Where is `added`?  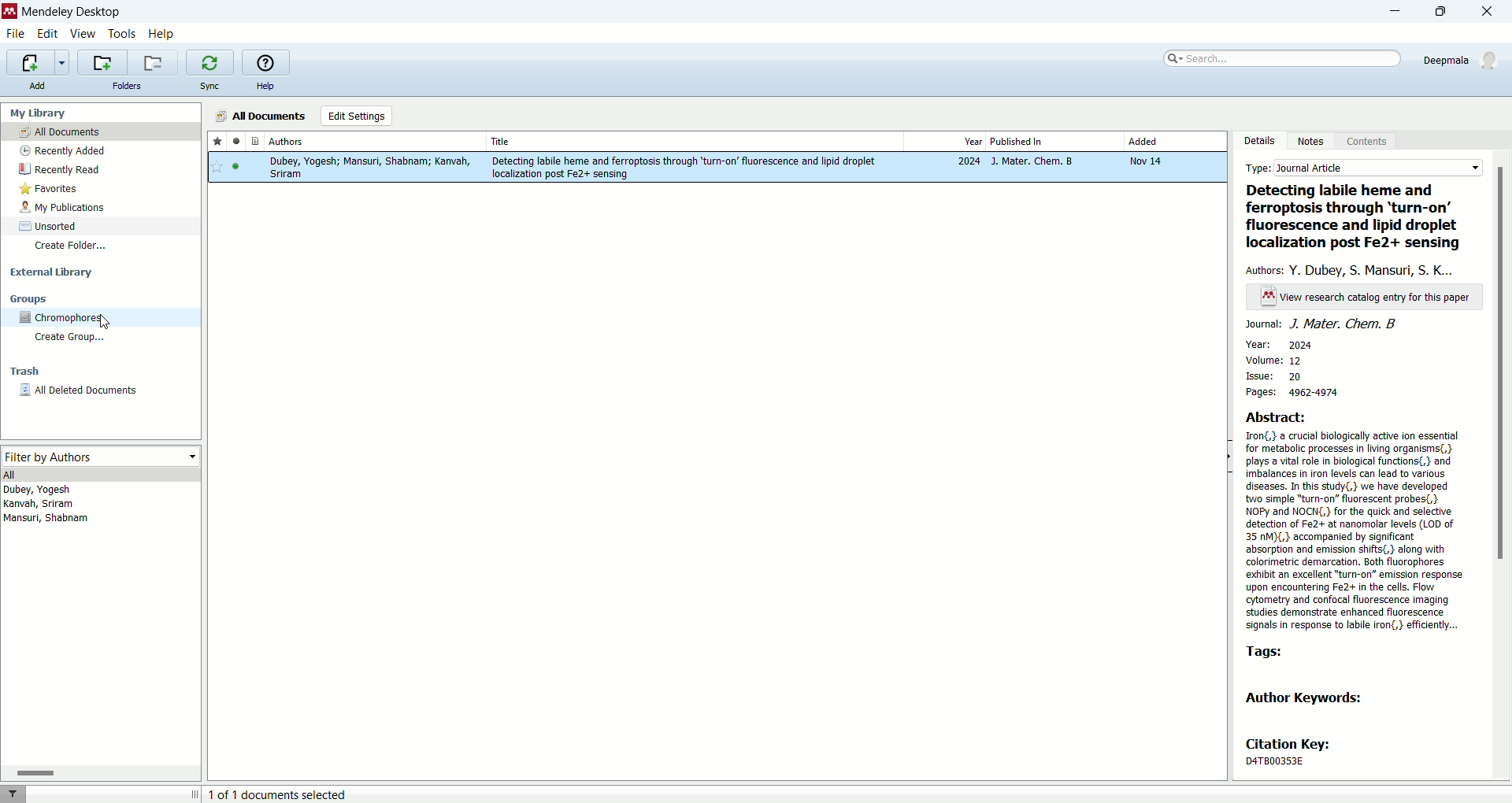
added is located at coordinates (1173, 141).